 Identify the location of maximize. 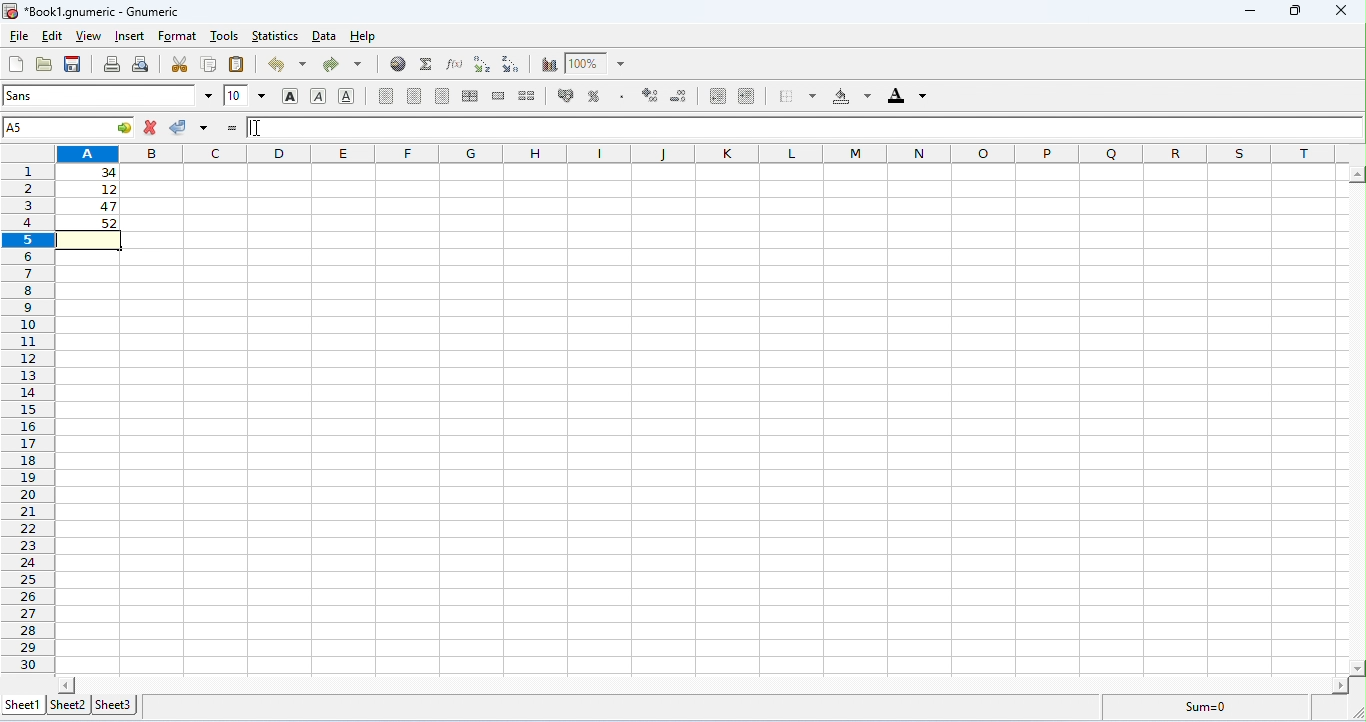
(1298, 11).